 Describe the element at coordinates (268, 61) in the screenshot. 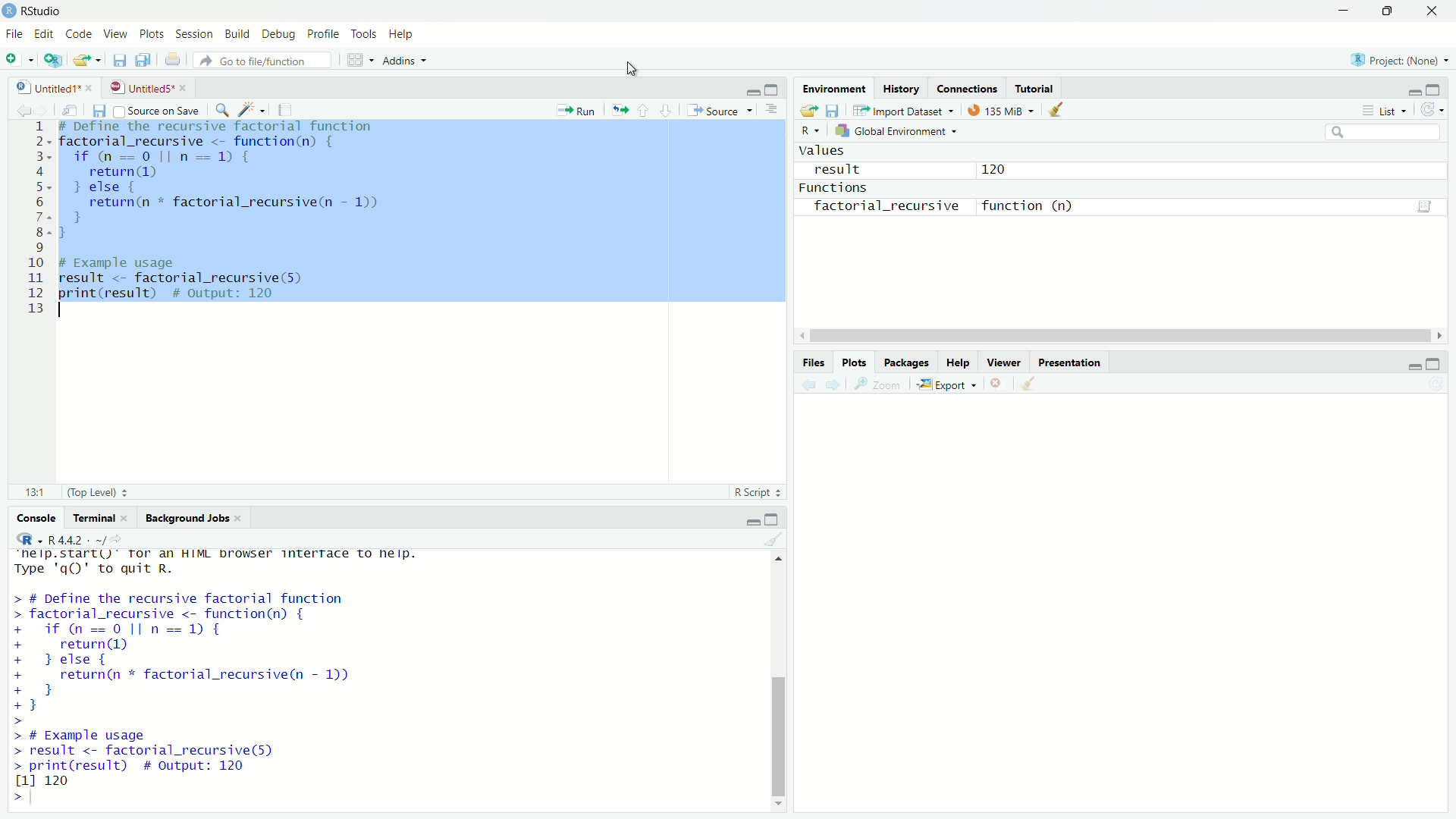

I see `Go to file/function` at that location.